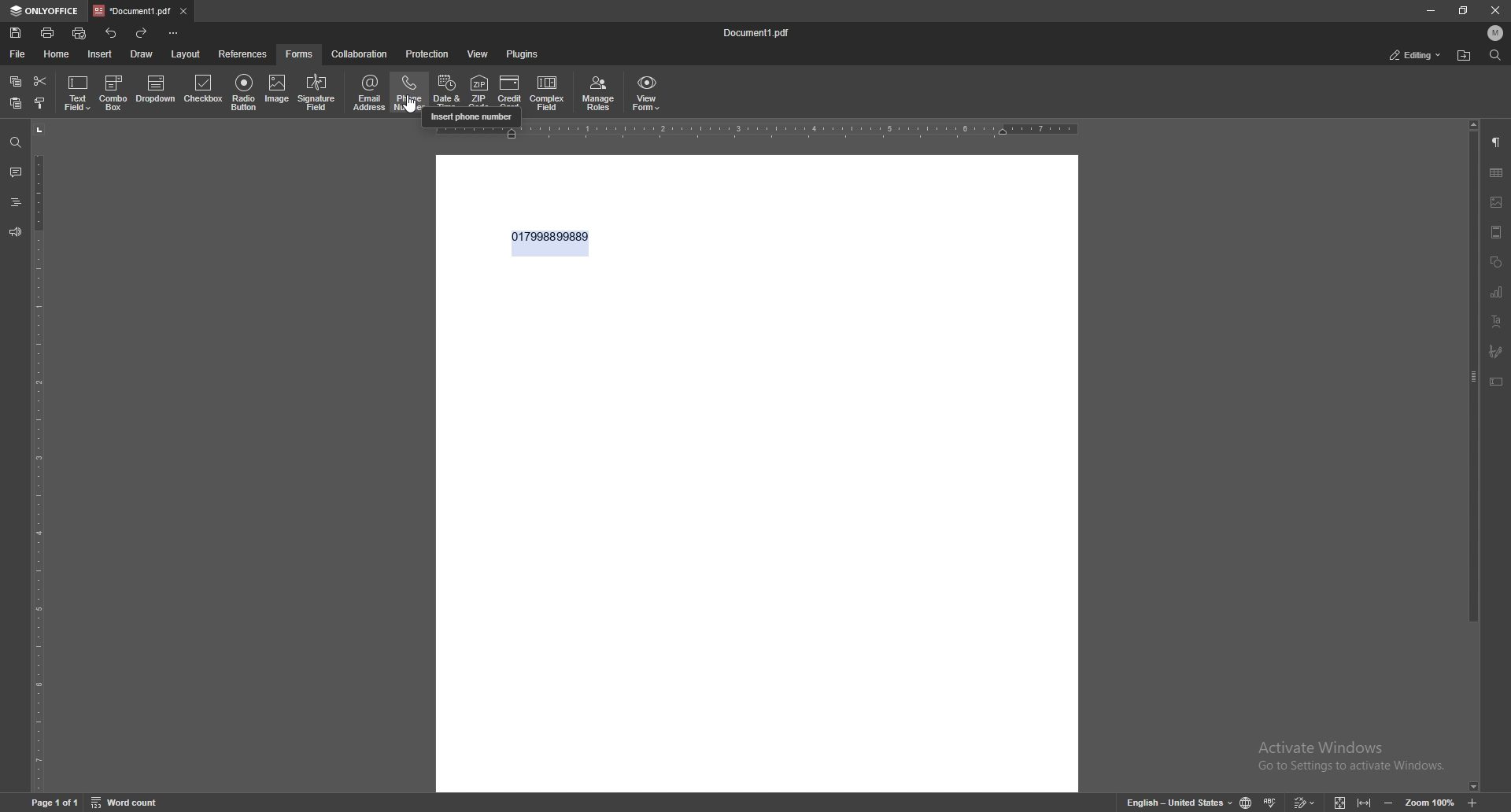  I want to click on scroll bar, so click(1472, 457).